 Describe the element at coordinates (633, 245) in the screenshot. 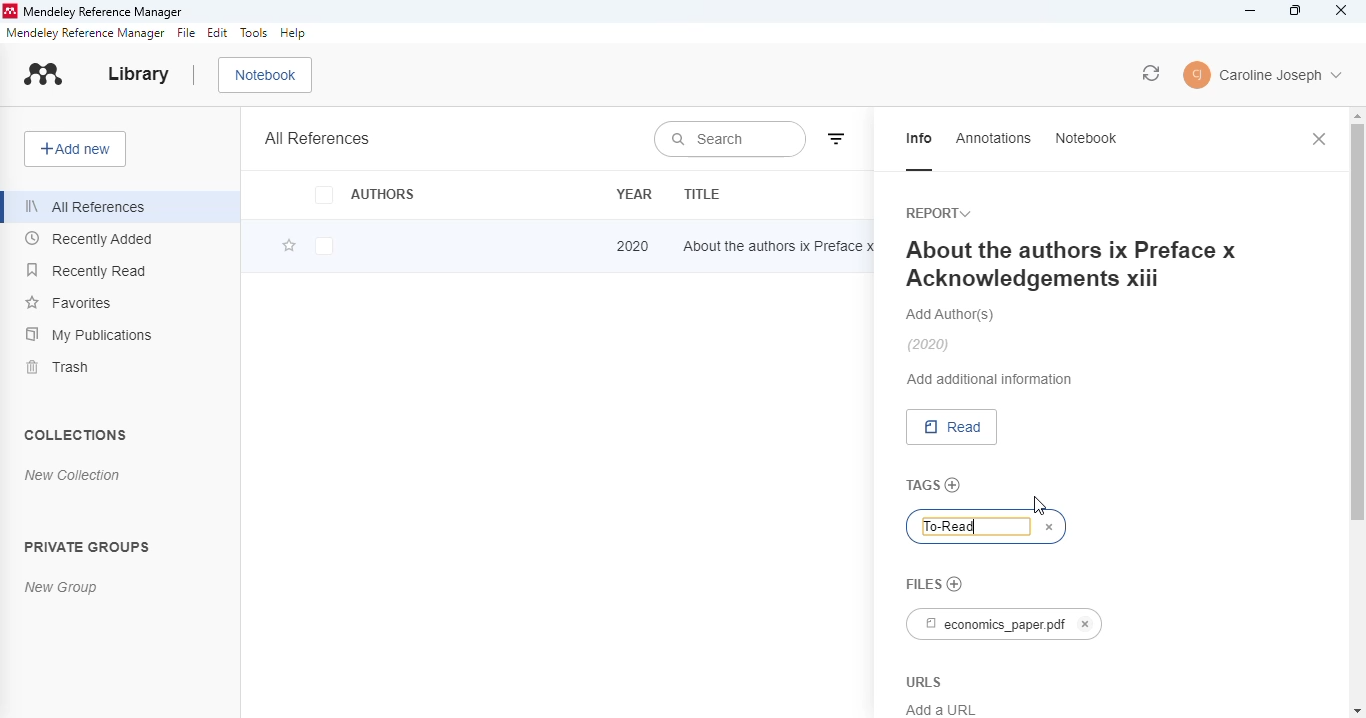

I see `2020` at that location.